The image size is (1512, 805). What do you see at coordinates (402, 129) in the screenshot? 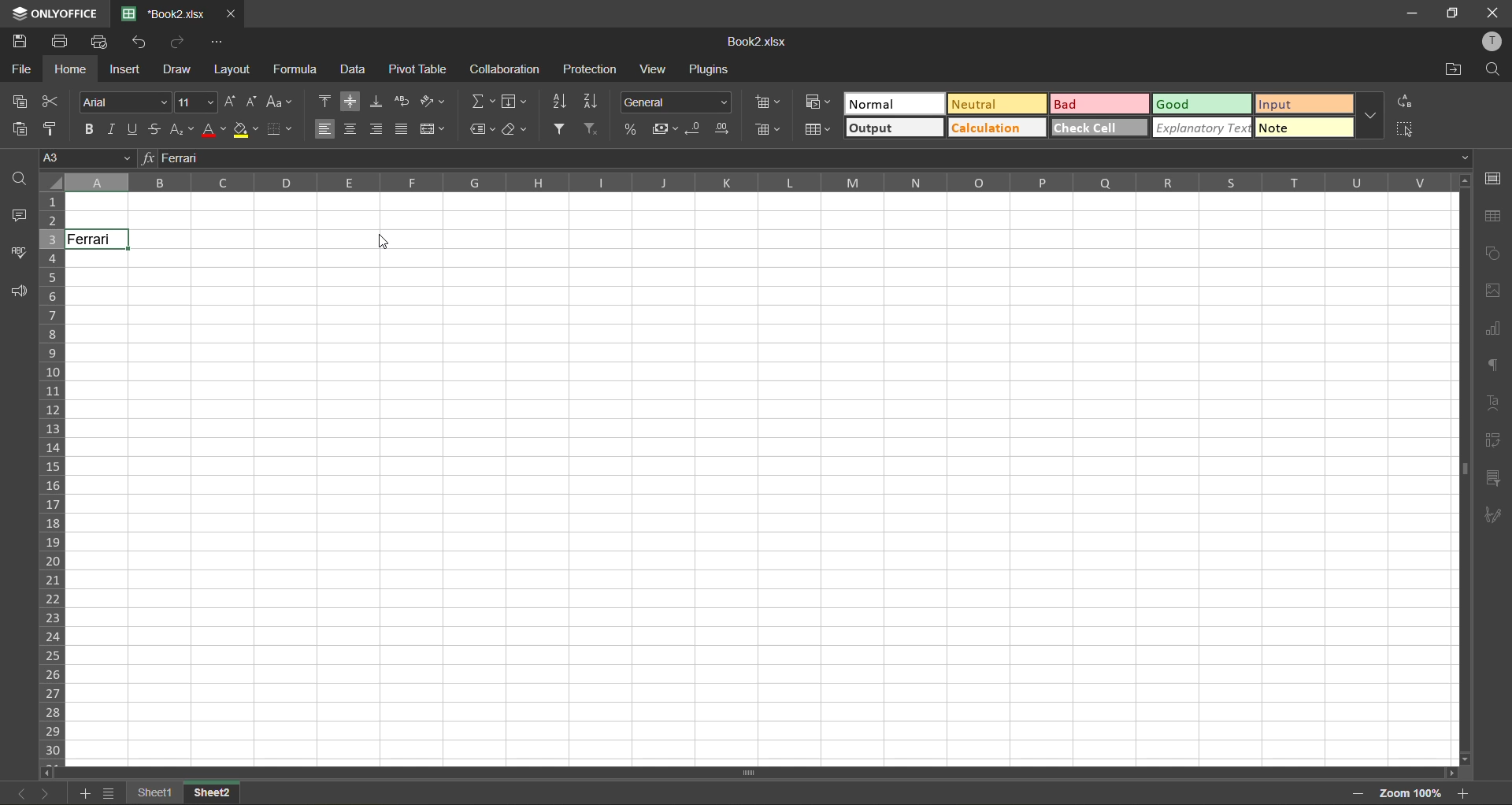
I see `justified` at bounding box center [402, 129].